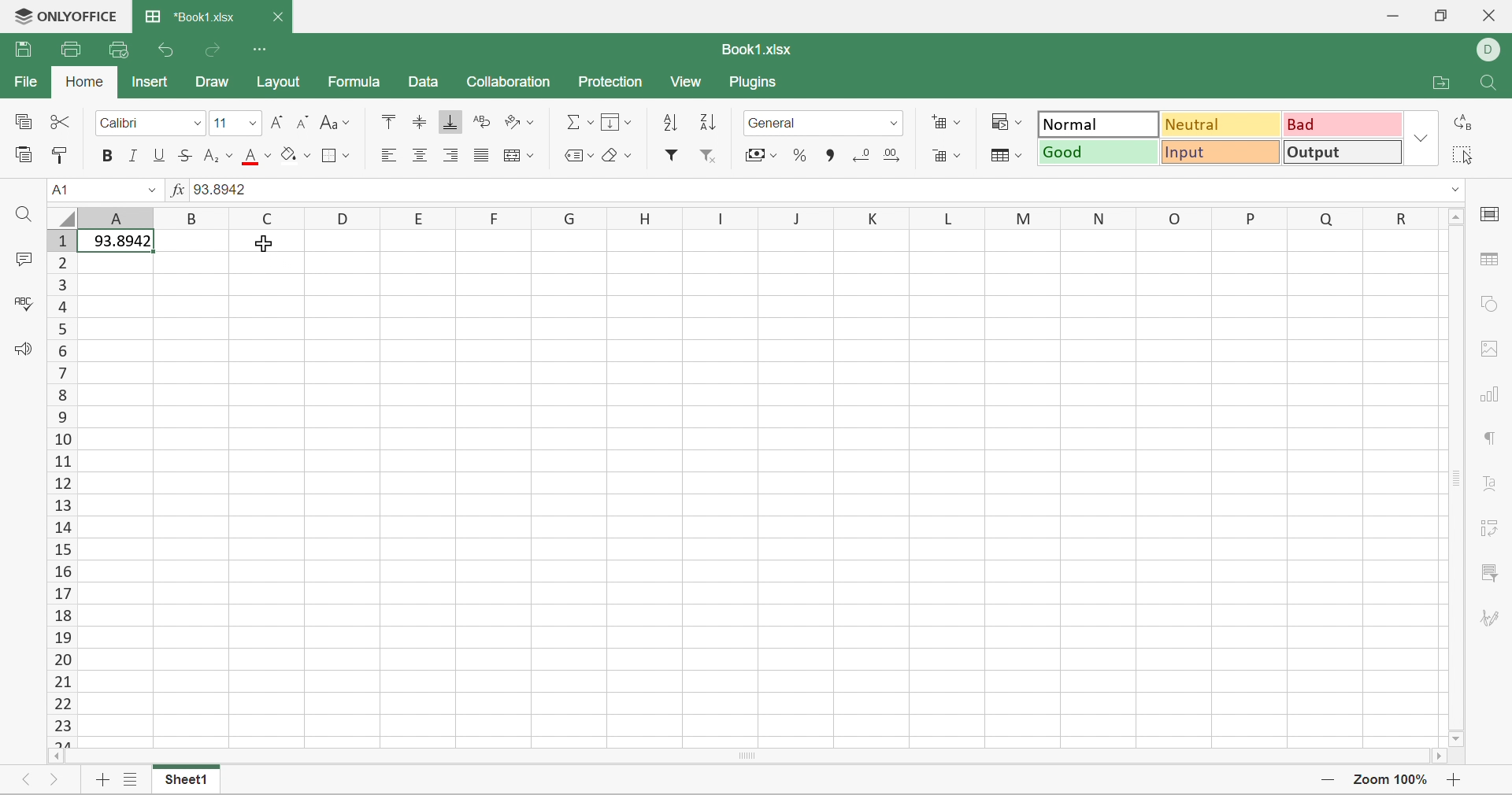 The image size is (1512, 795). What do you see at coordinates (109, 156) in the screenshot?
I see `Bold` at bounding box center [109, 156].